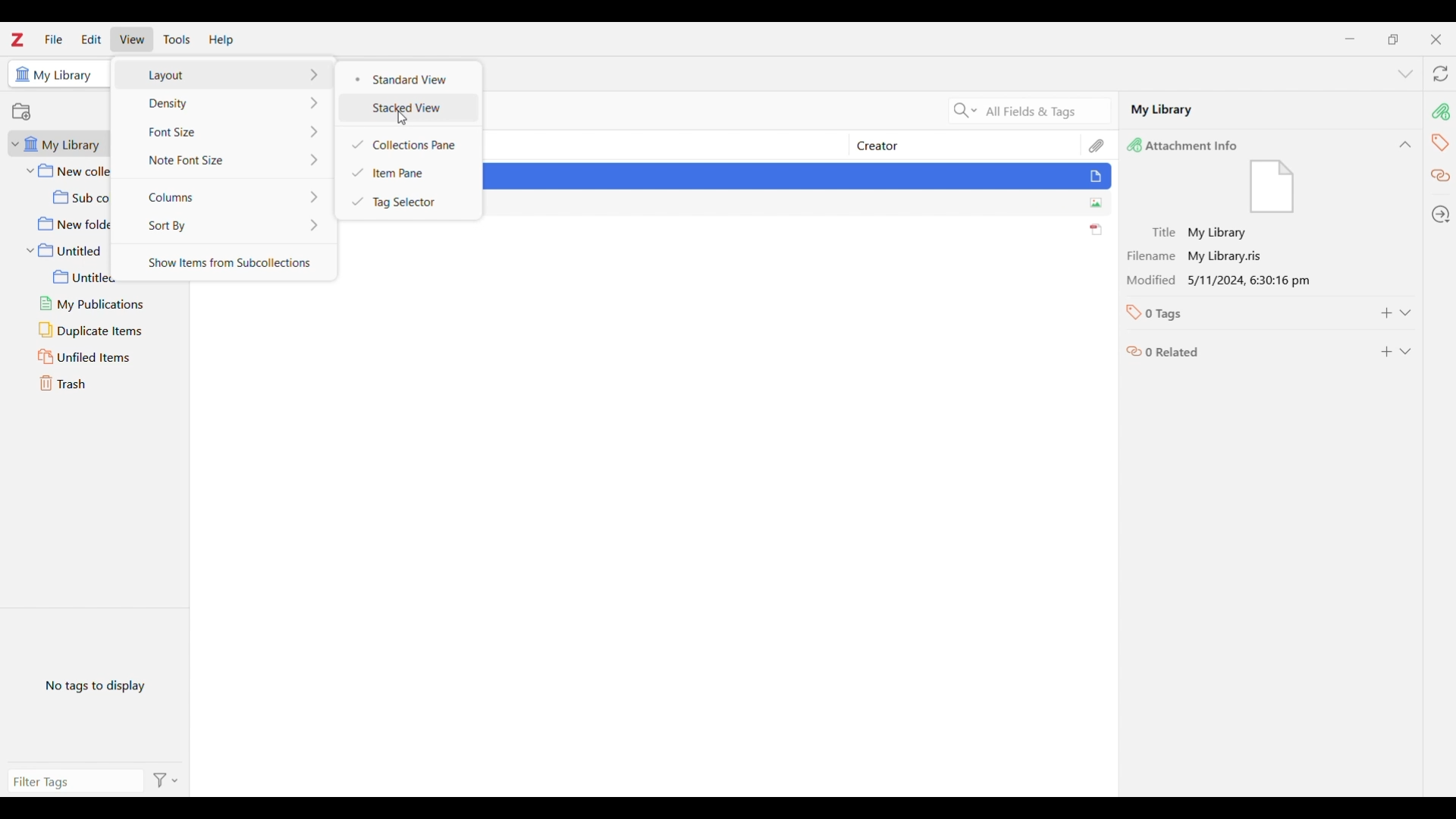 This screenshot has width=1456, height=819. I want to click on Sort by options, so click(224, 225).